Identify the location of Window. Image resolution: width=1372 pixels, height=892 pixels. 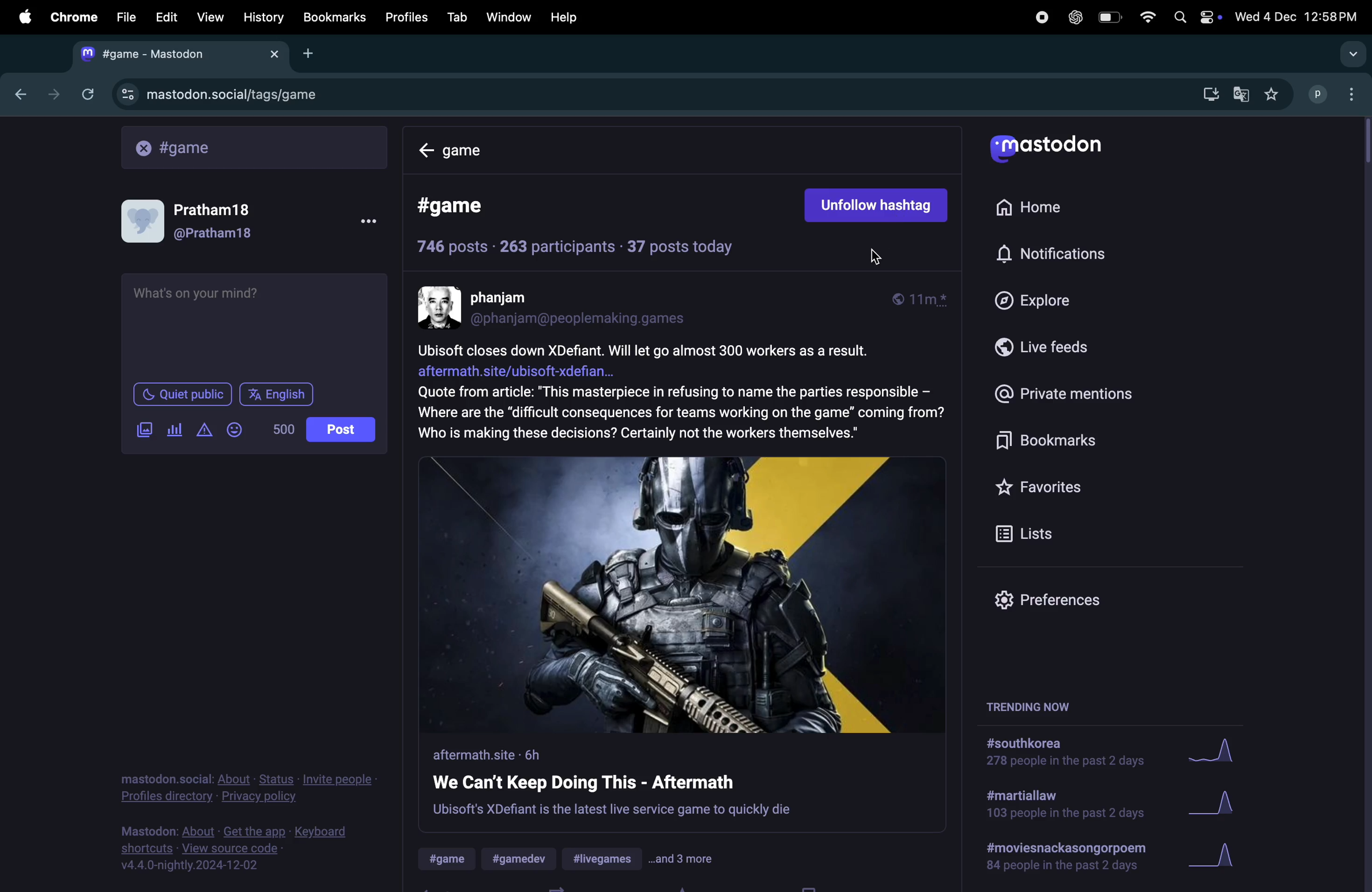
(508, 17).